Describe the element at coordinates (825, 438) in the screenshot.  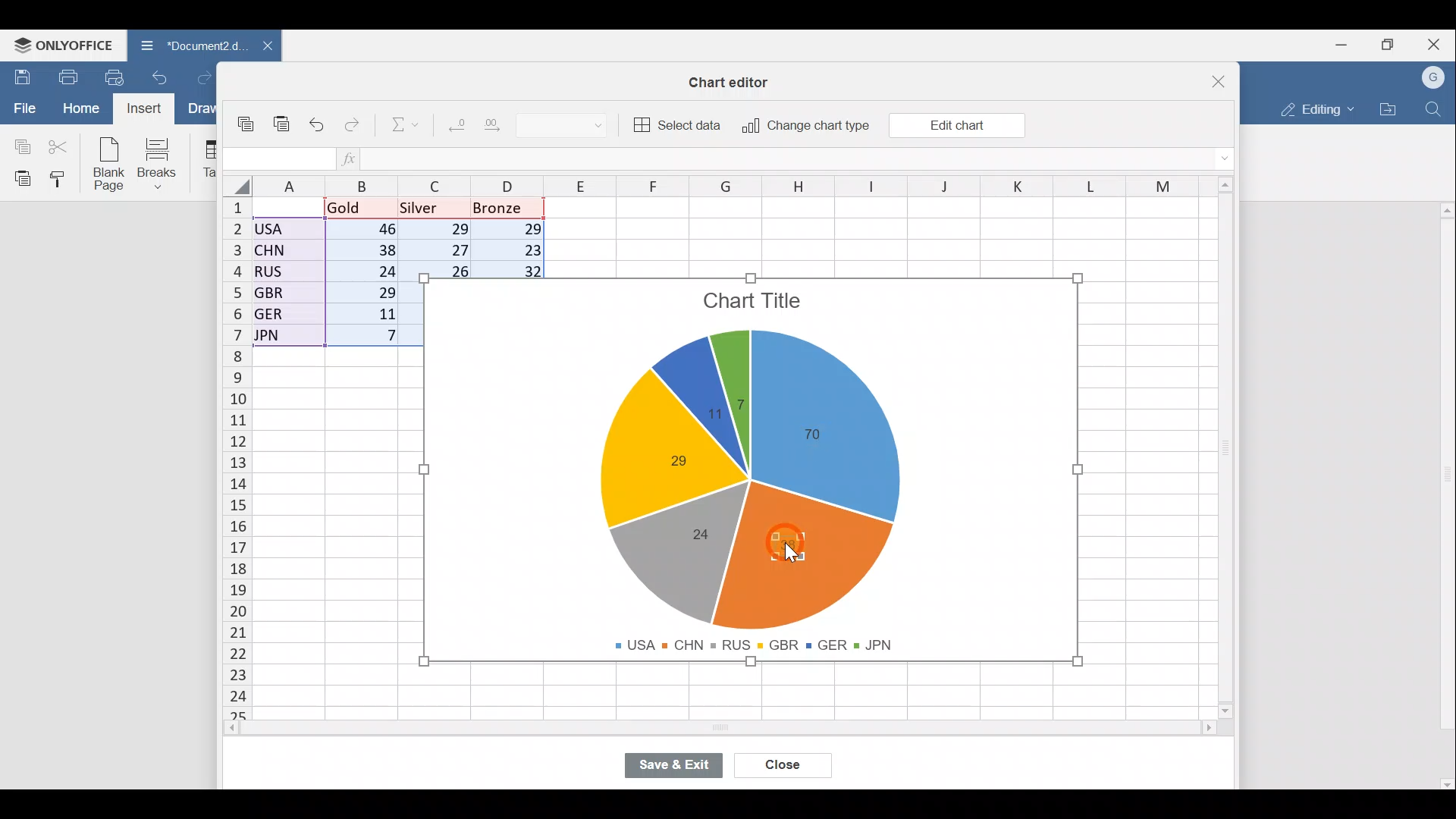
I see `Chart label` at that location.